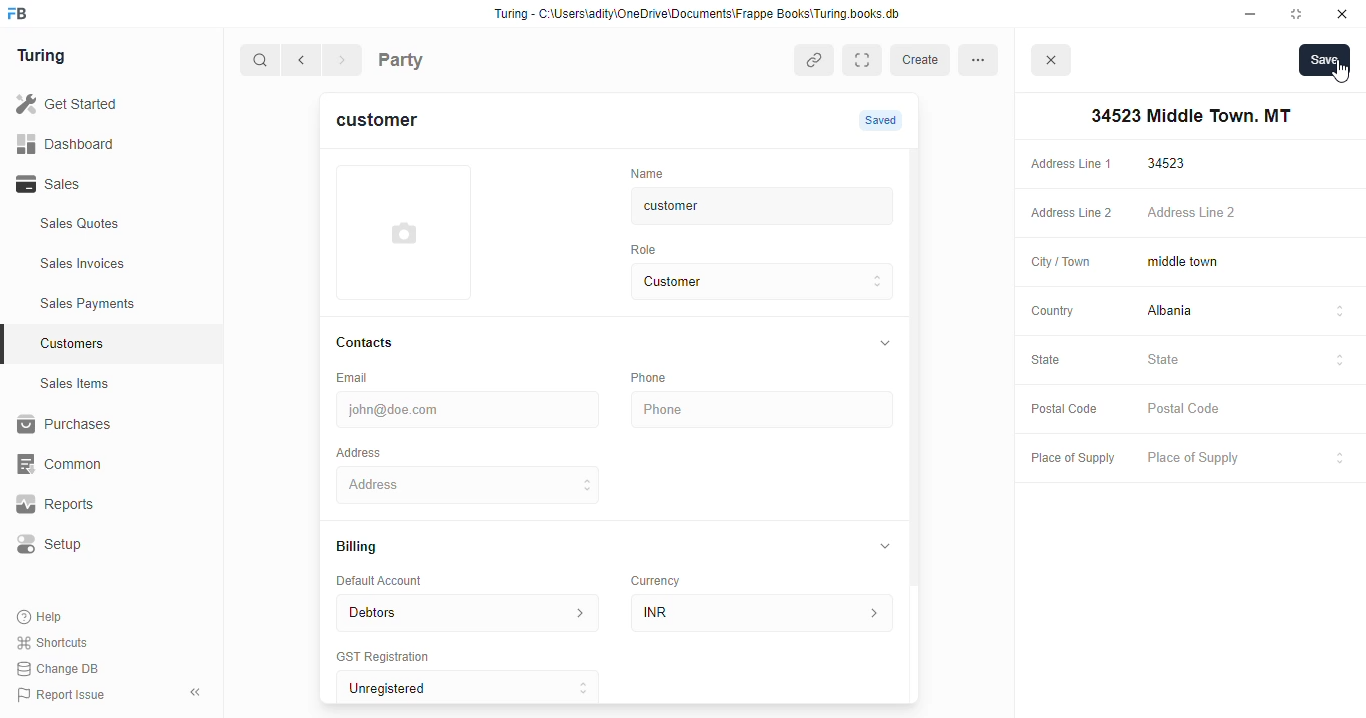  I want to click on create, so click(923, 60).